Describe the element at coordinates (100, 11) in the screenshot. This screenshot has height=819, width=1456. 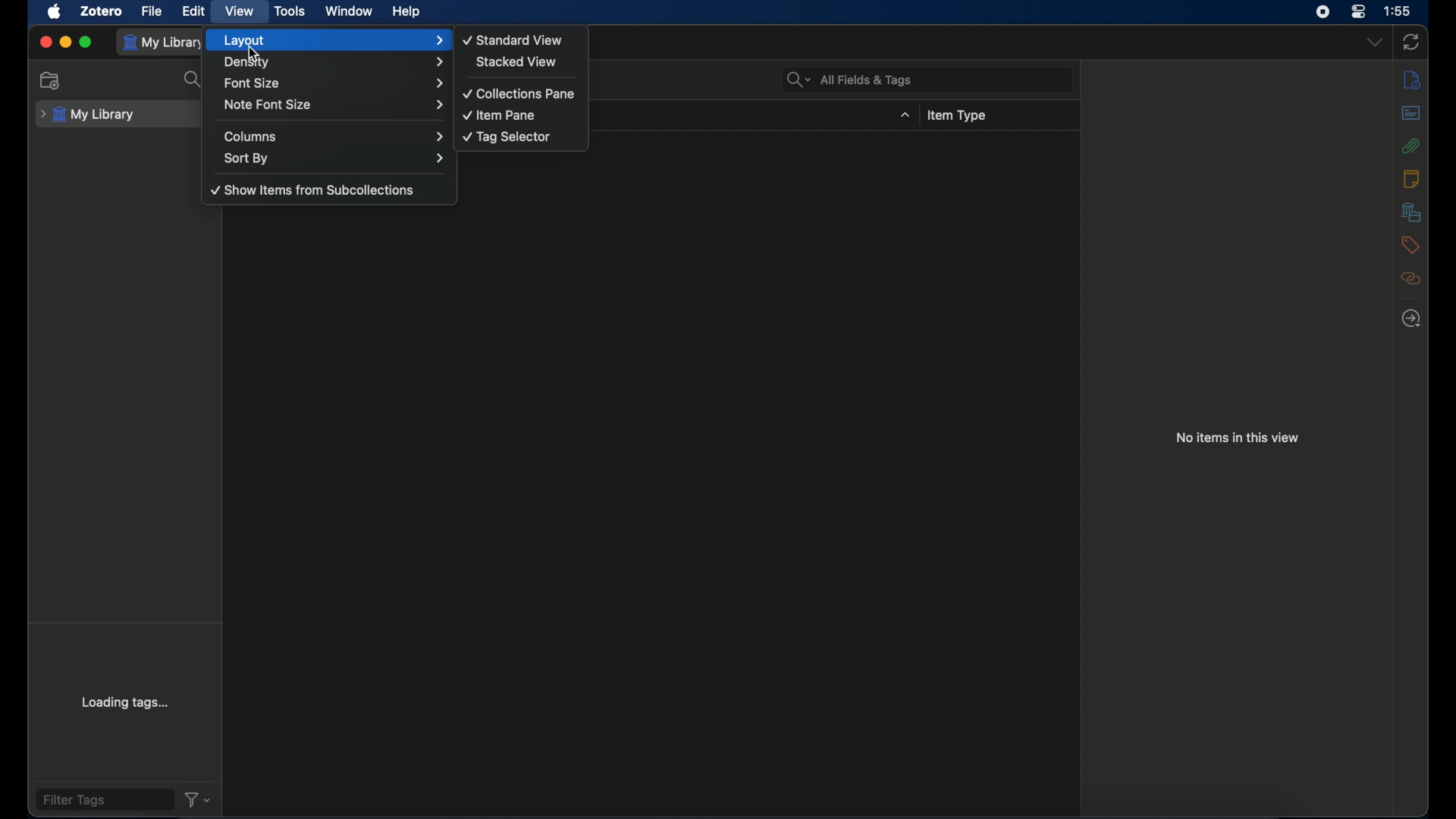
I see `zotero` at that location.